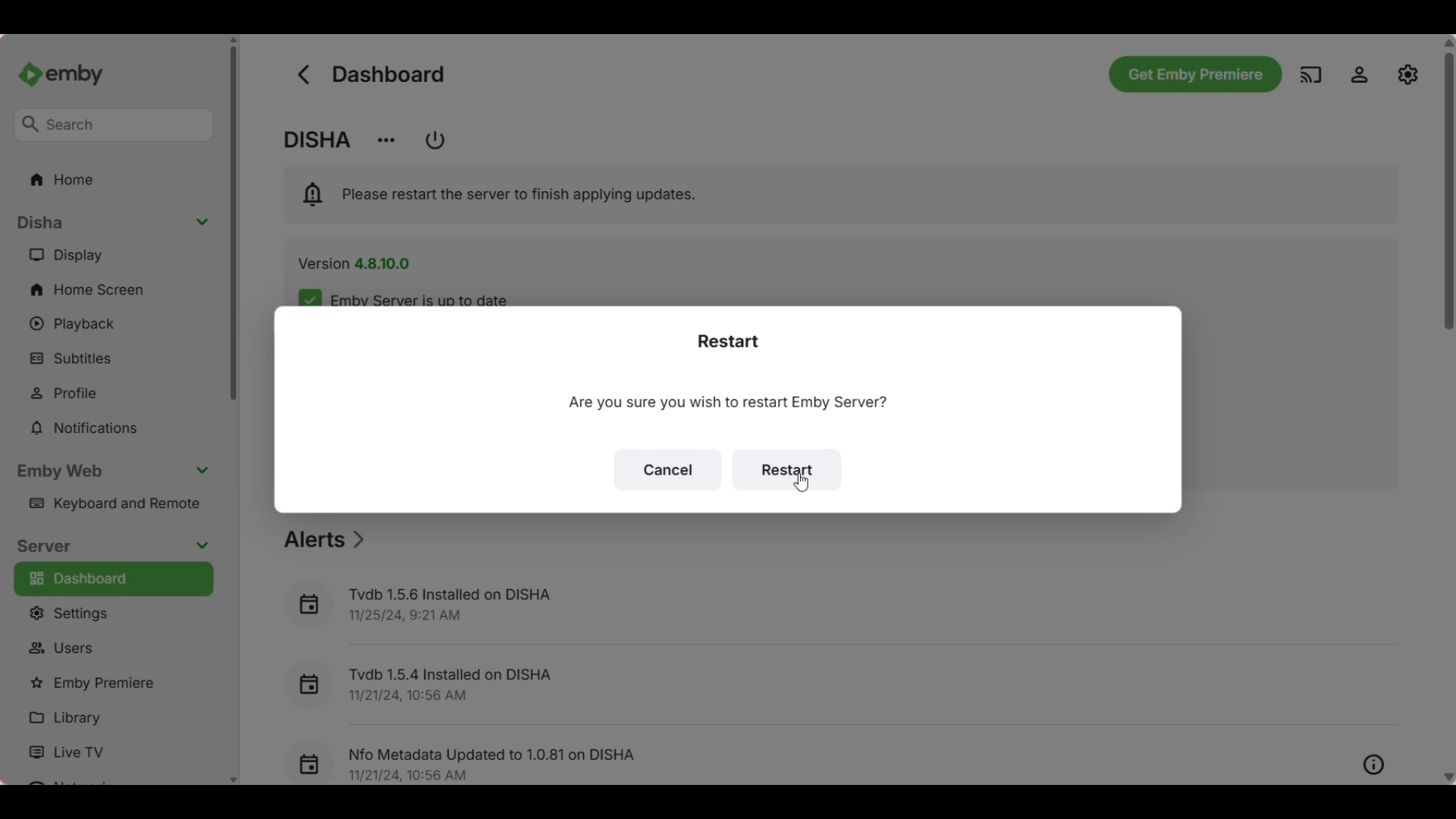  What do you see at coordinates (234, 780) in the screenshot?
I see `Quick slide to bottom of left panel` at bounding box center [234, 780].